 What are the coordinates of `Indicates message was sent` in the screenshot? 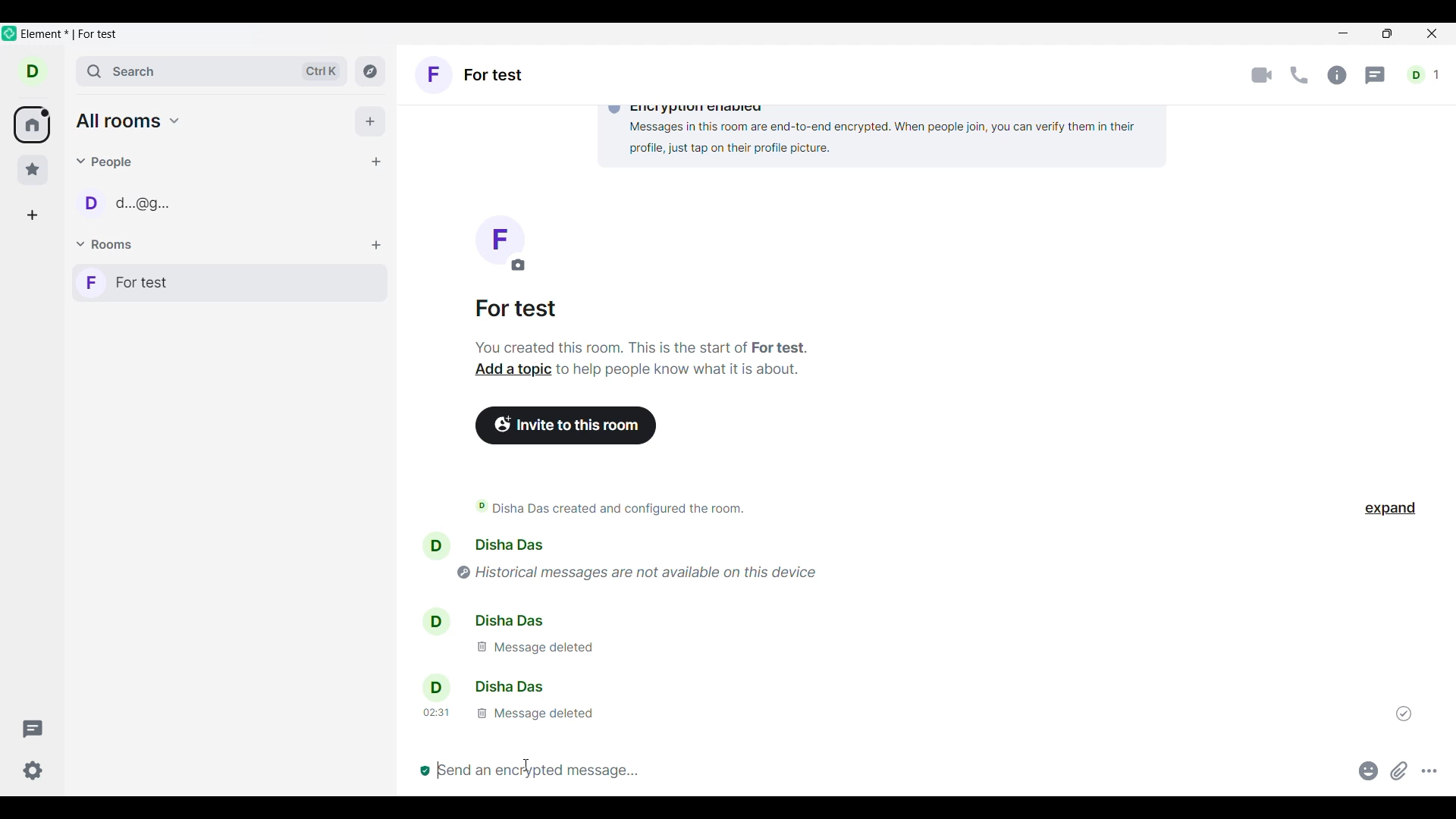 It's located at (1404, 714).